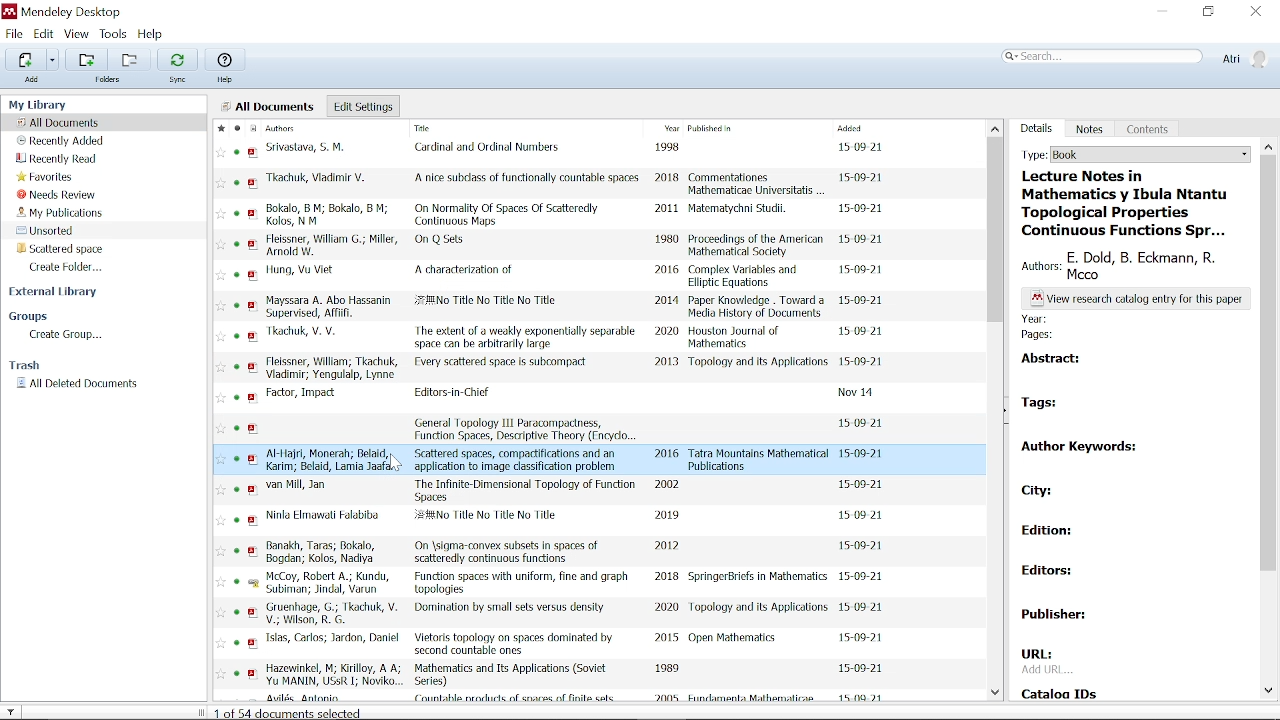 The image size is (1280, 720). Describe the element at coordinates (860, 147) in the screenshot. I see `date` at that location.